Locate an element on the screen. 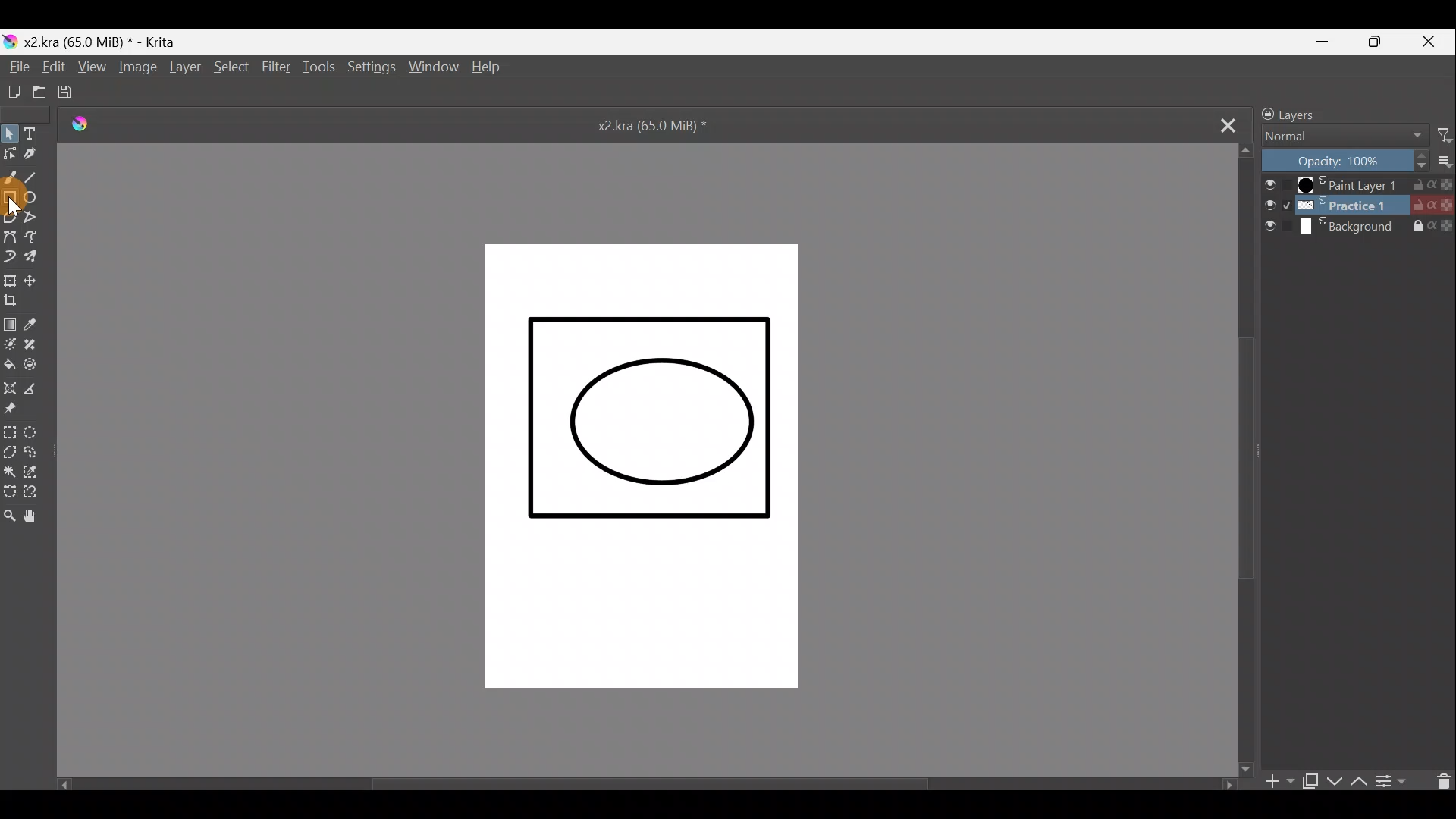  Enclose & fill tool is located at coordinates (37, 366).